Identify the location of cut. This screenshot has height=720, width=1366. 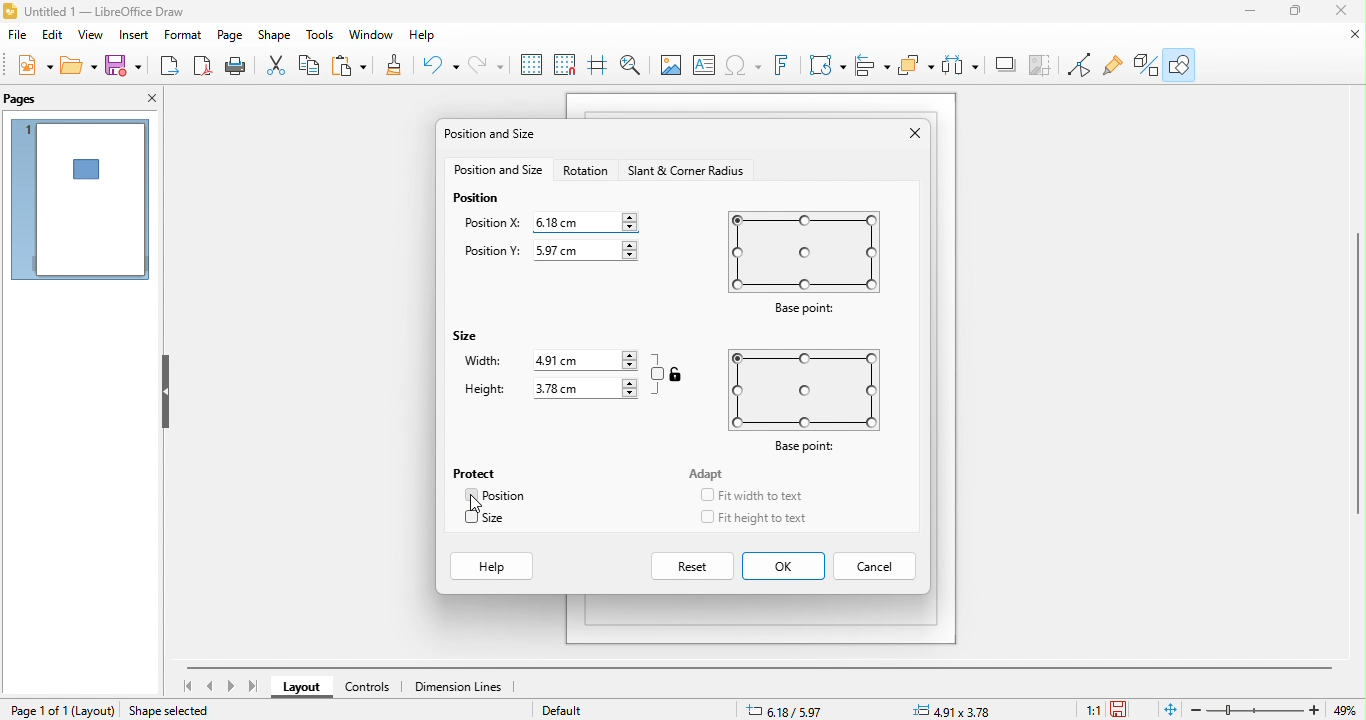
(279, 67).